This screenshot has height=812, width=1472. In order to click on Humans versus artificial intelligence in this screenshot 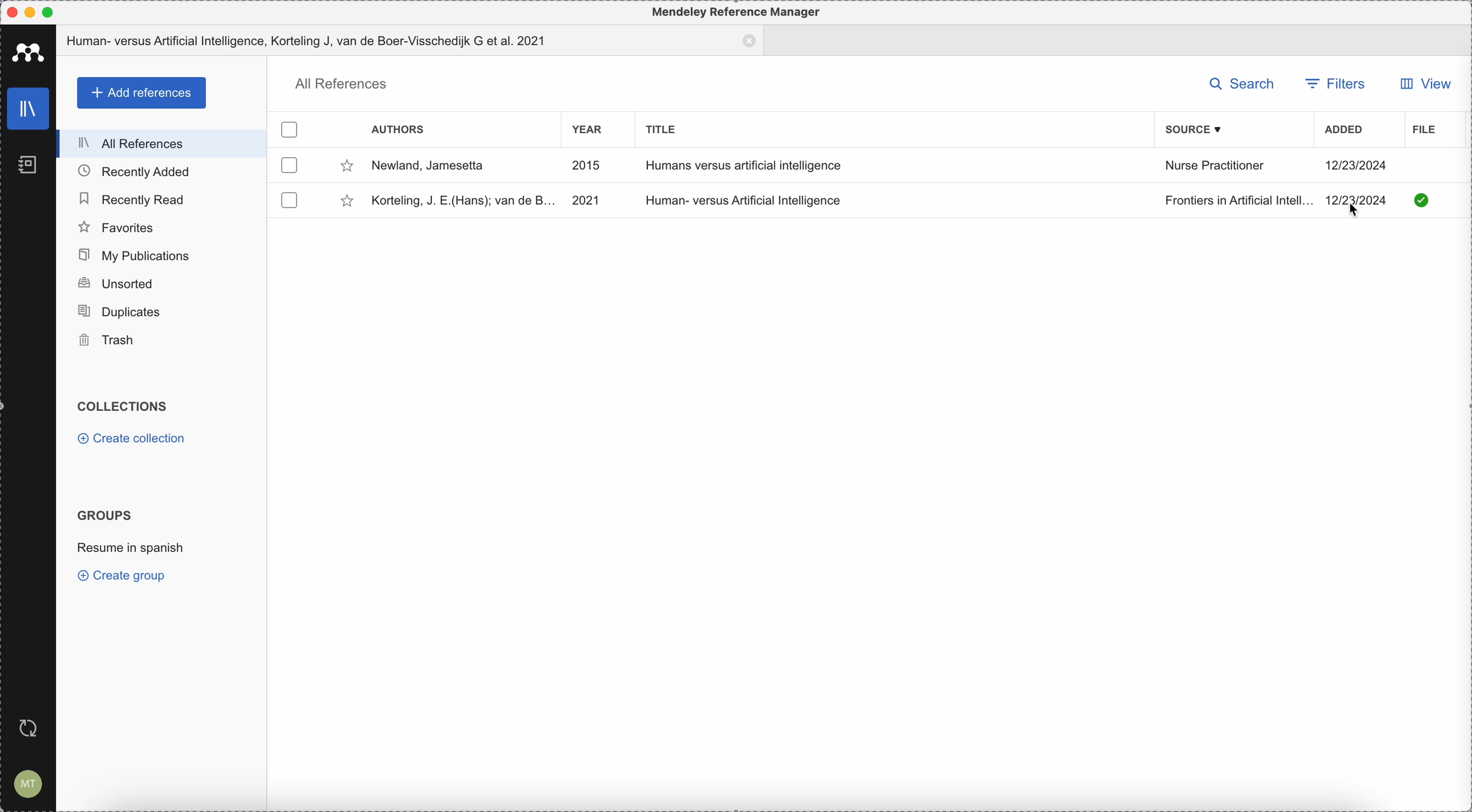, I will do `click(745, 165)`.